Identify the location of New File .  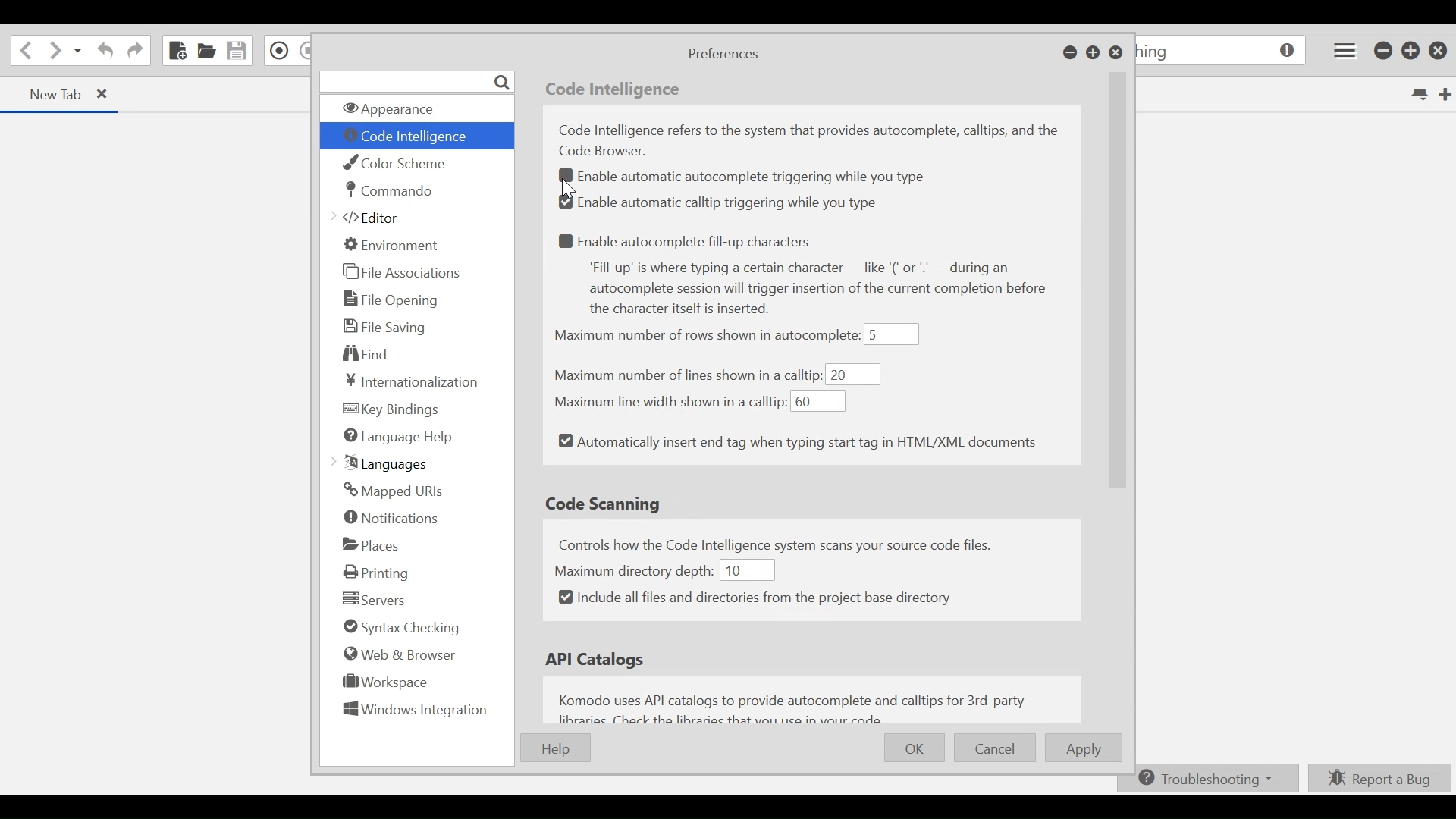
(176, 50).